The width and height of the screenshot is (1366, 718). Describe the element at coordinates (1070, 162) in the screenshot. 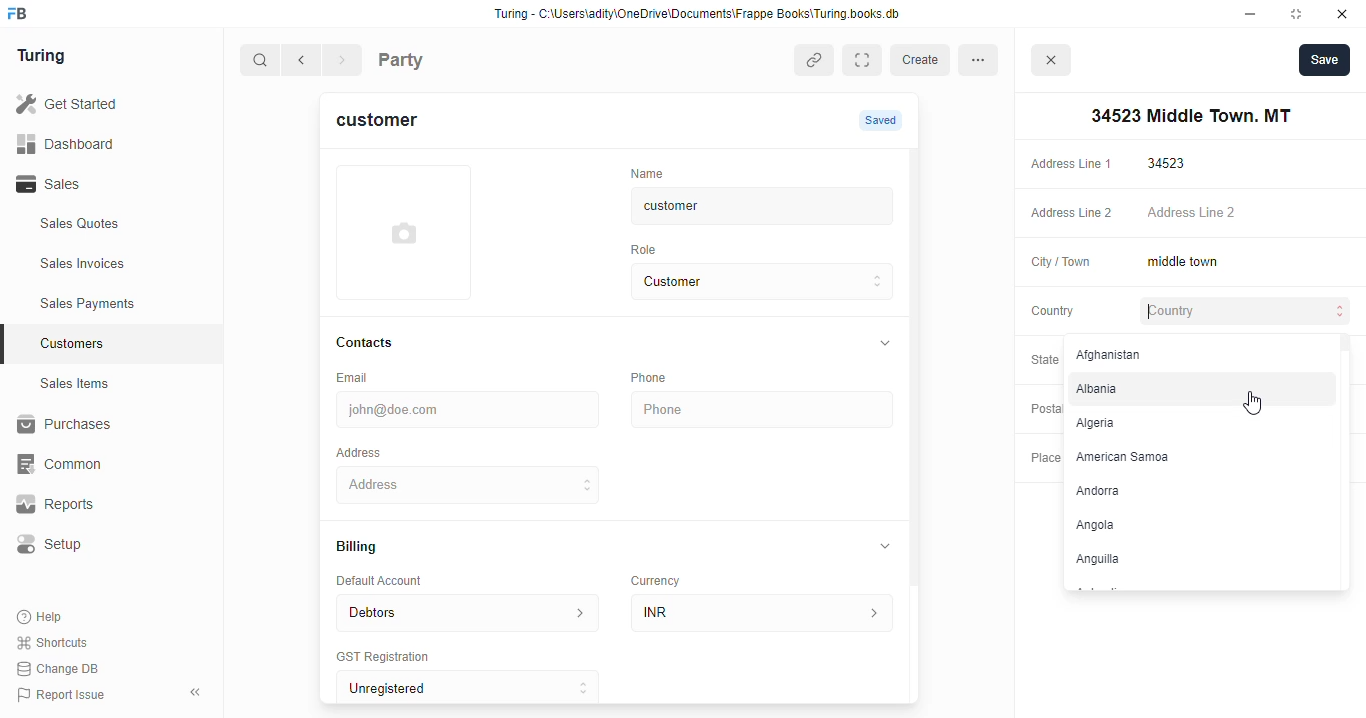

I see `Address Line 1` at that location.